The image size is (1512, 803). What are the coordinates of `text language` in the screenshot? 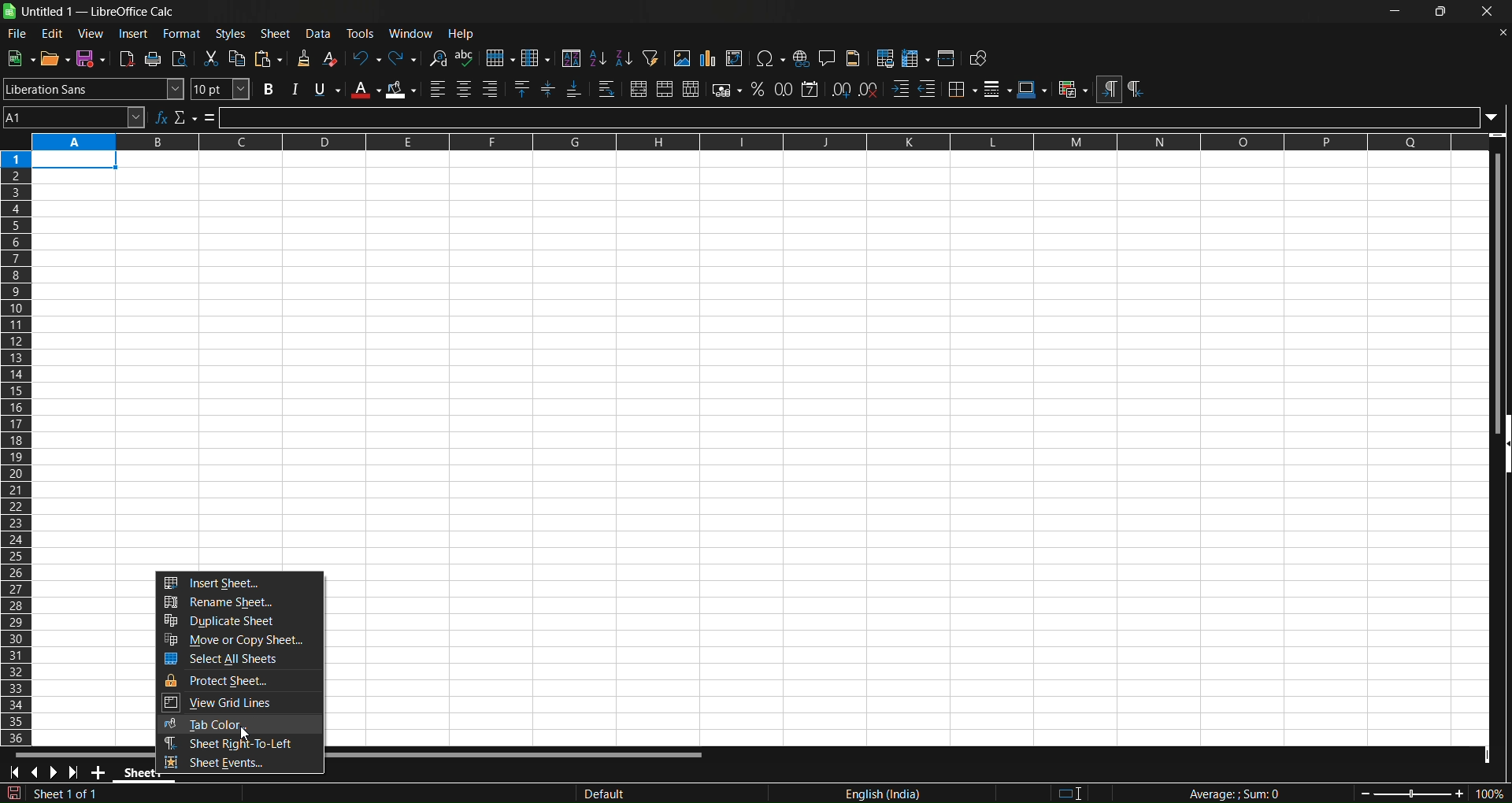 It's located at (806, 793).